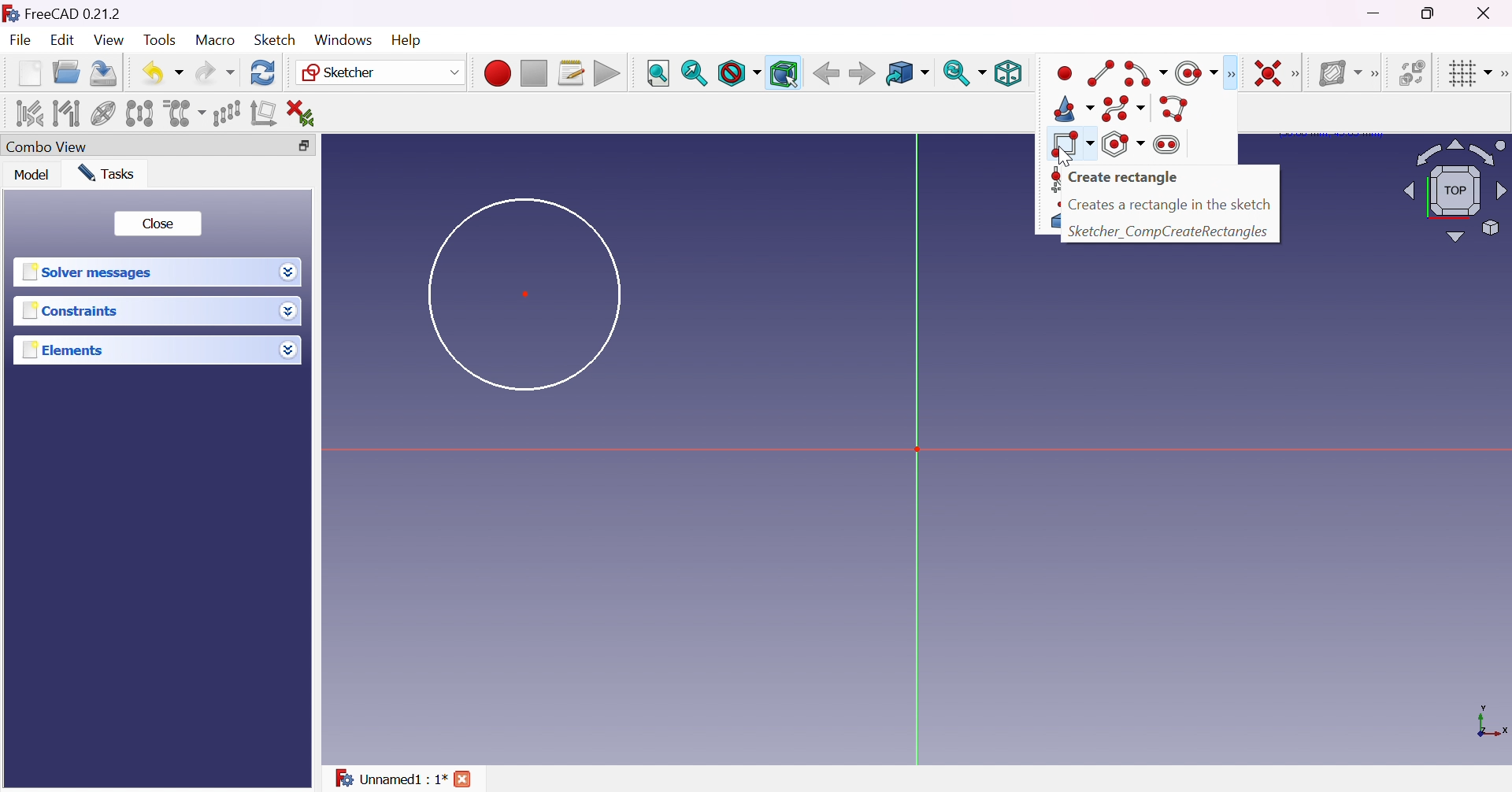  Describe the element at coordinates (1490, 723) in the screenshot. I see `x, y axis` at that location.